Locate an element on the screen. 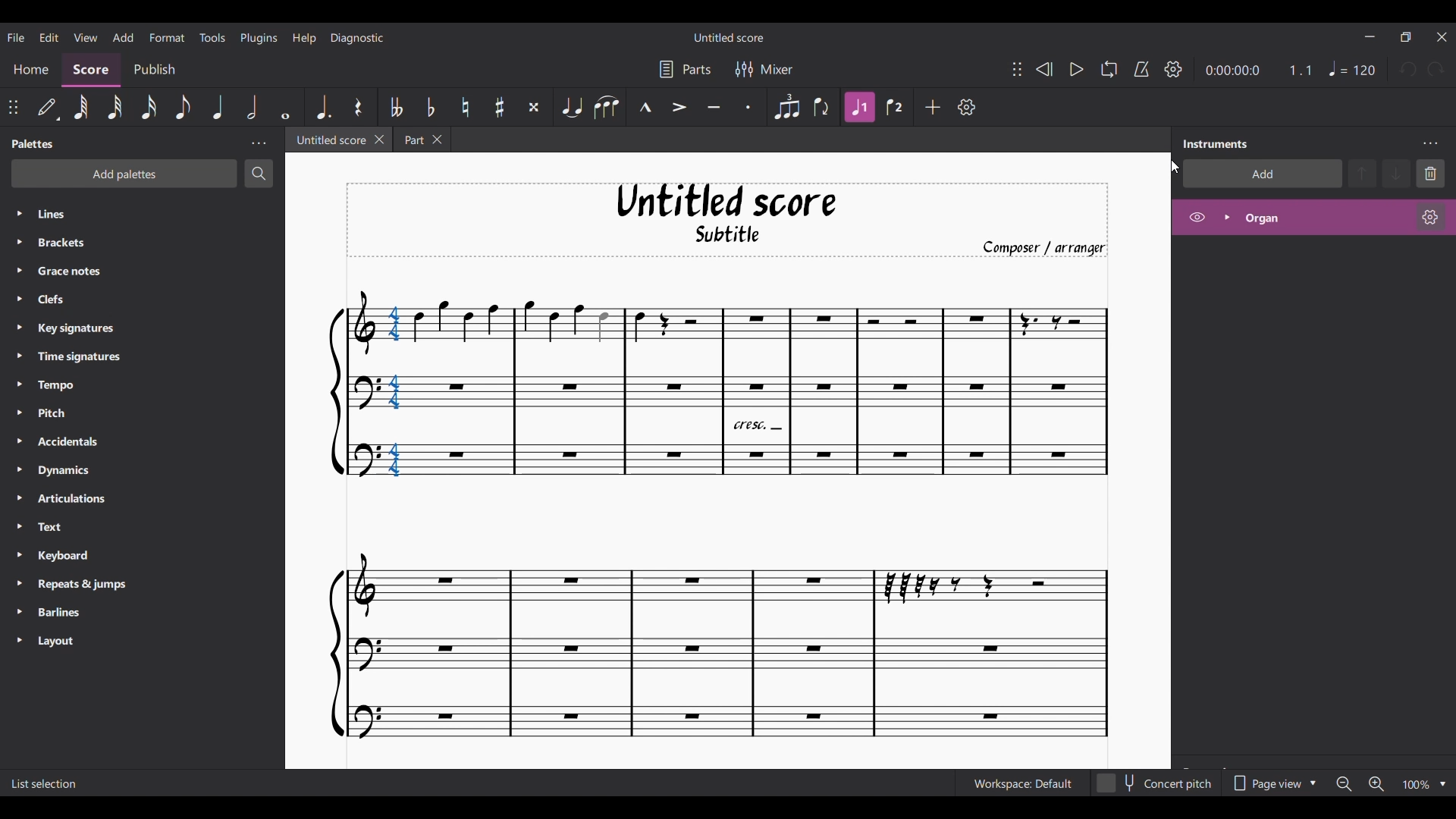 The width and height of the screenshot is (1456, 819). Customize toolbar is located at coordinates (967, 107).